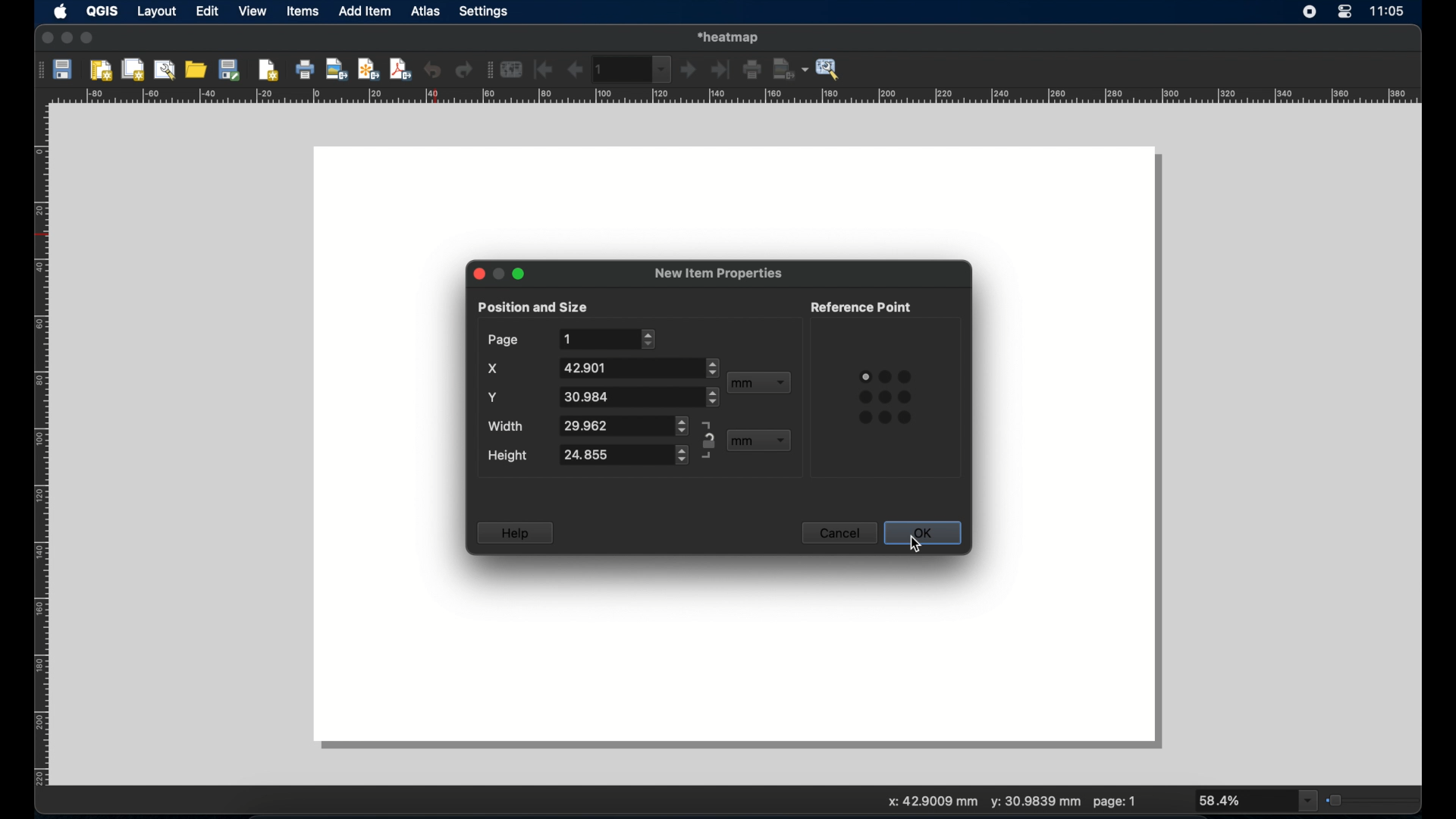 This screenshot has height=819, width=1456. I want to click on blank layout, so click(736, 673).